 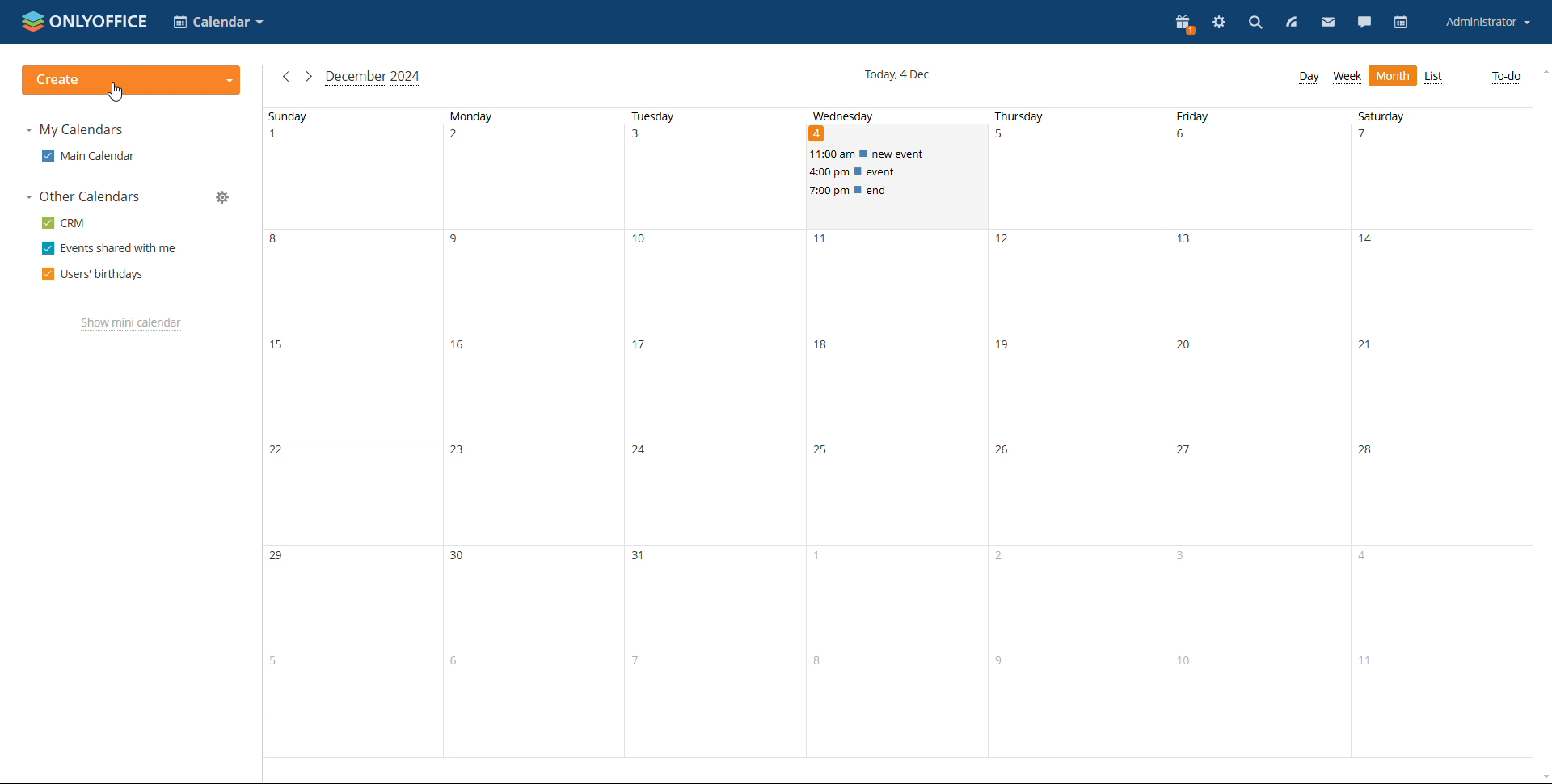 I want to click on sunday, so click(x=351, y=433).